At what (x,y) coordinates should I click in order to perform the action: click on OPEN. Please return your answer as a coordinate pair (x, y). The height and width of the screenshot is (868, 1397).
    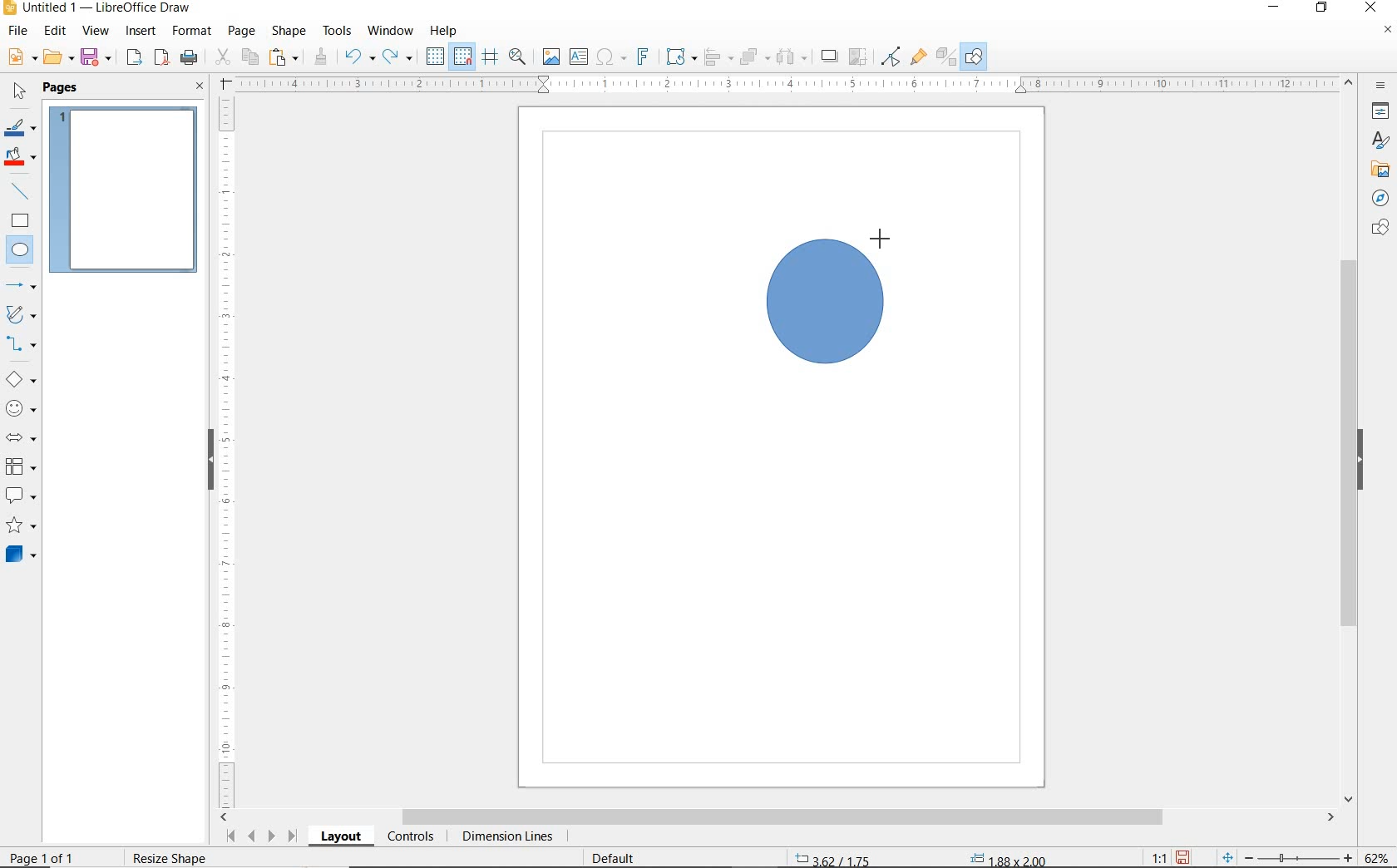
    Looking at the image, I should click on (58, 59).